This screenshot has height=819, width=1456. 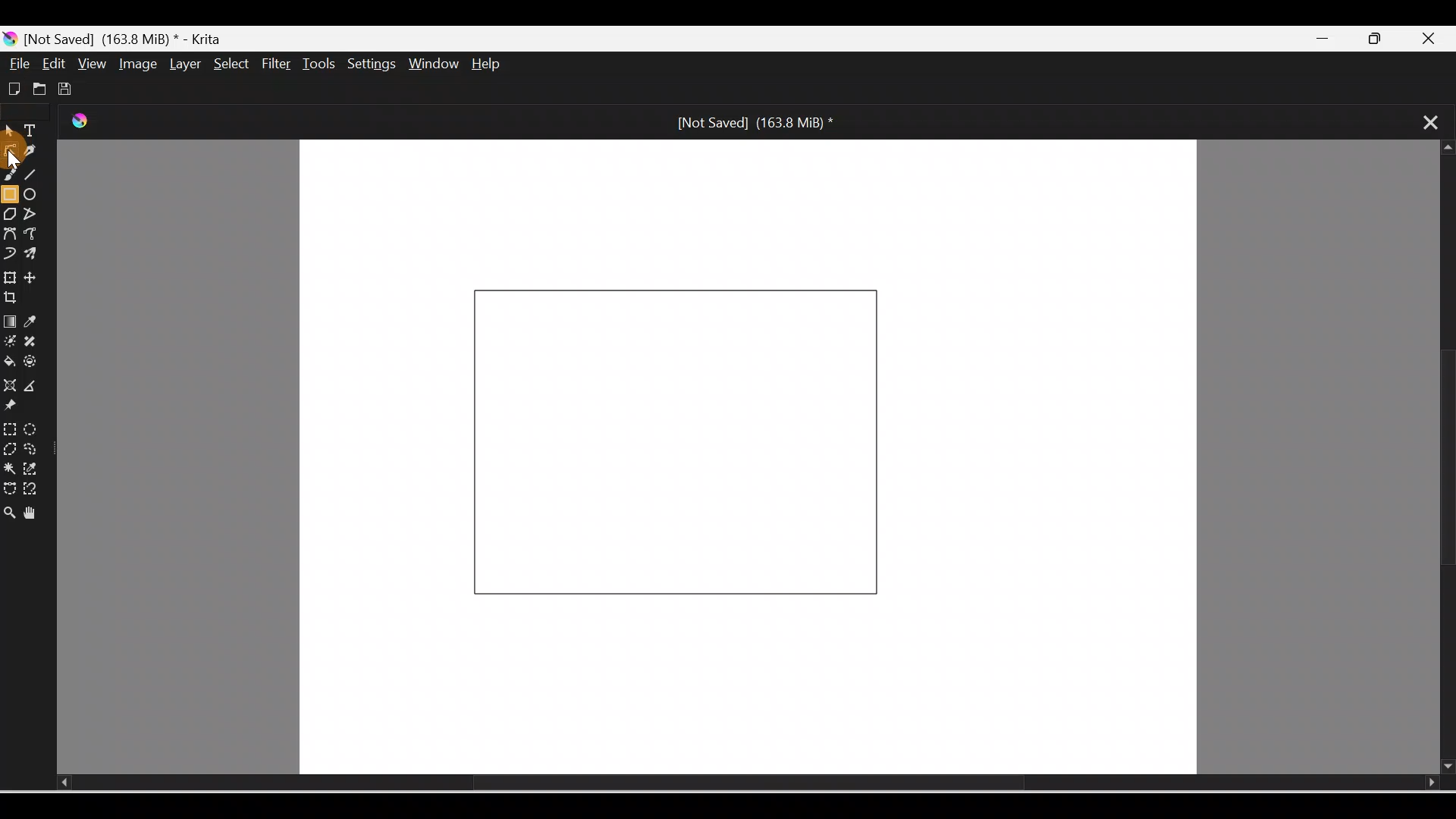 What do you see at coordinates (33, 510) in the screenshot?
I see `Pan tool` at bounding box center [33, 510].